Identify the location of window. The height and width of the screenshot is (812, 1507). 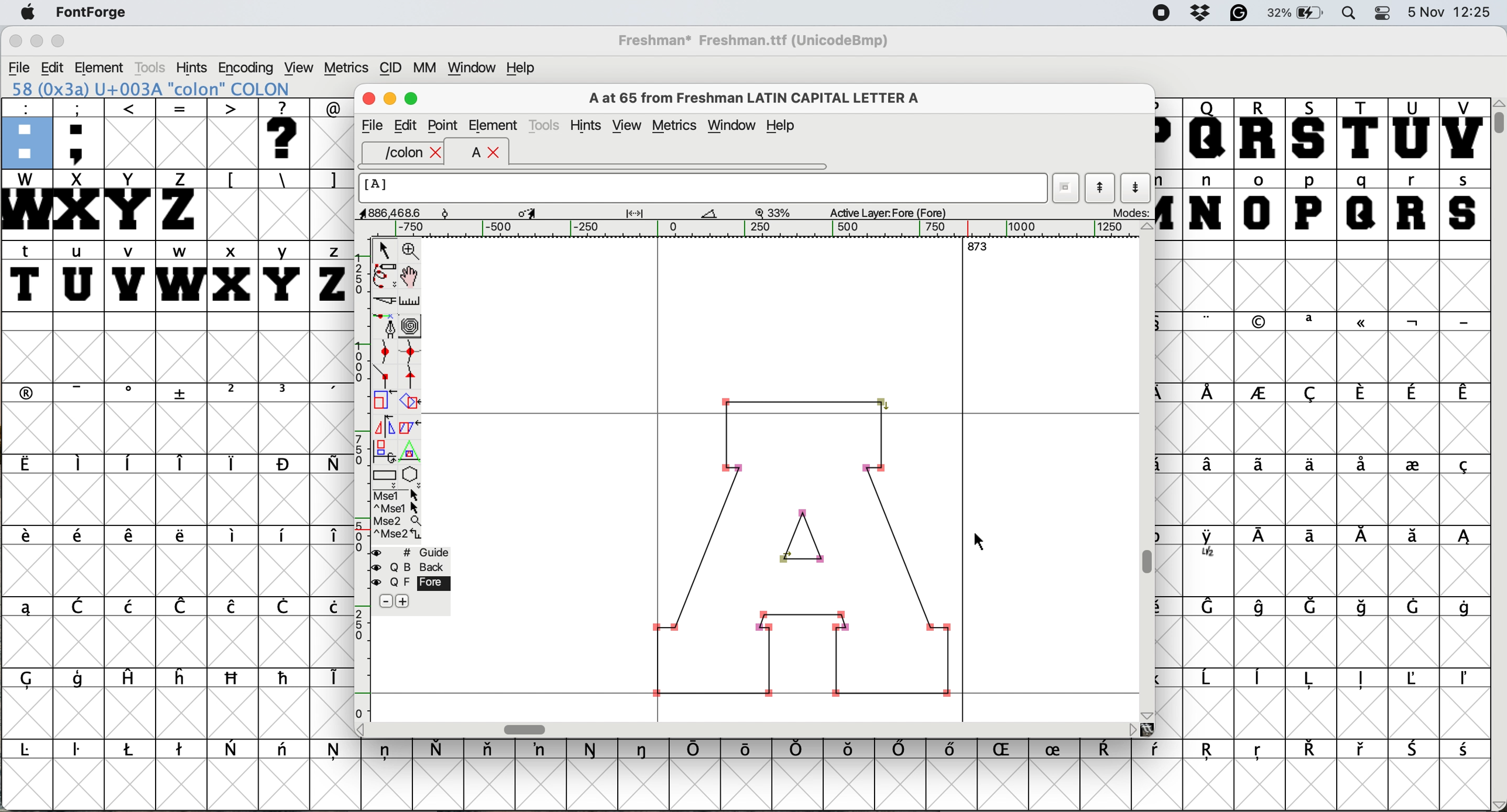
(732, 125).